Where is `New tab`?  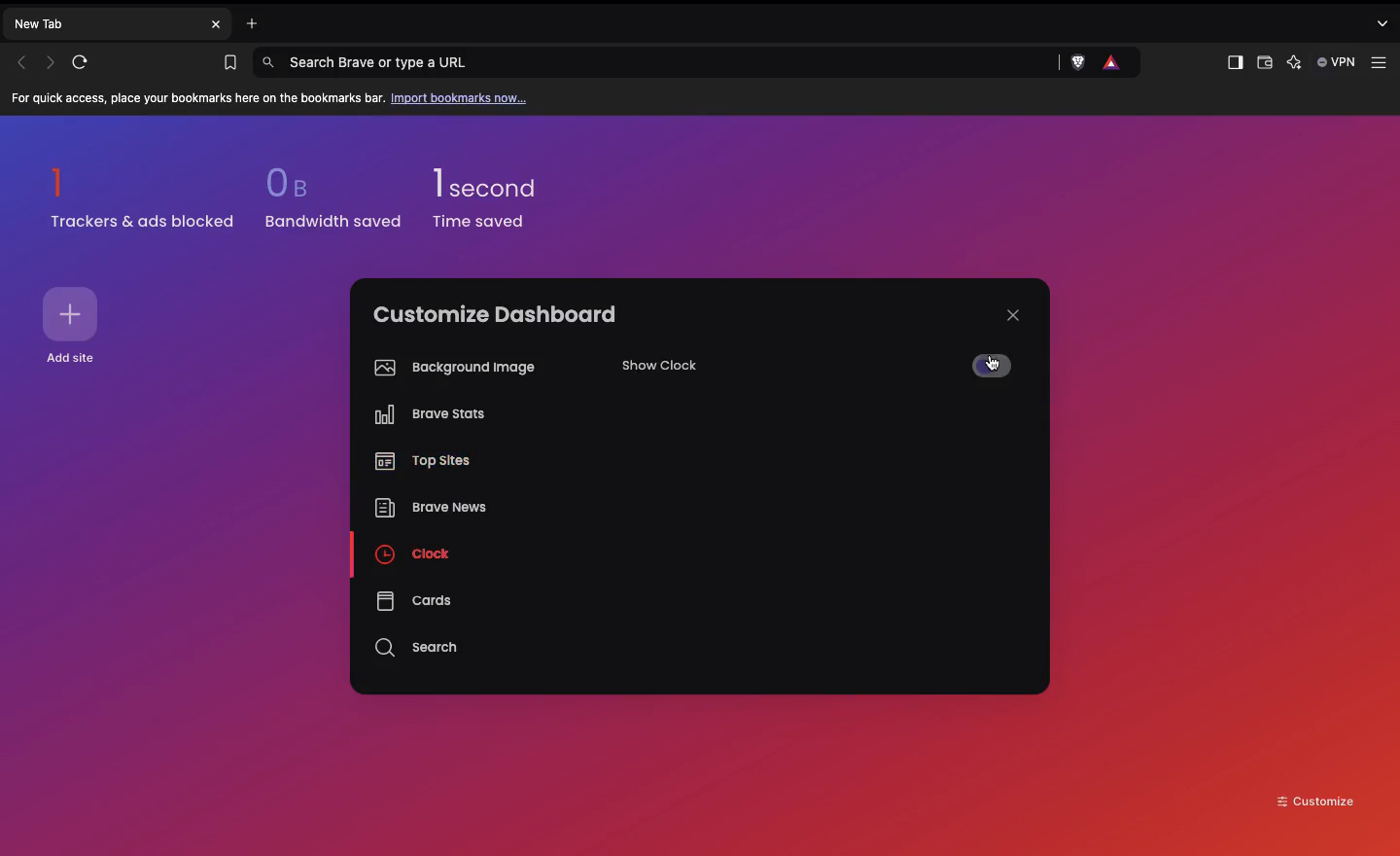 New tab is located at coordinates (103, 22).